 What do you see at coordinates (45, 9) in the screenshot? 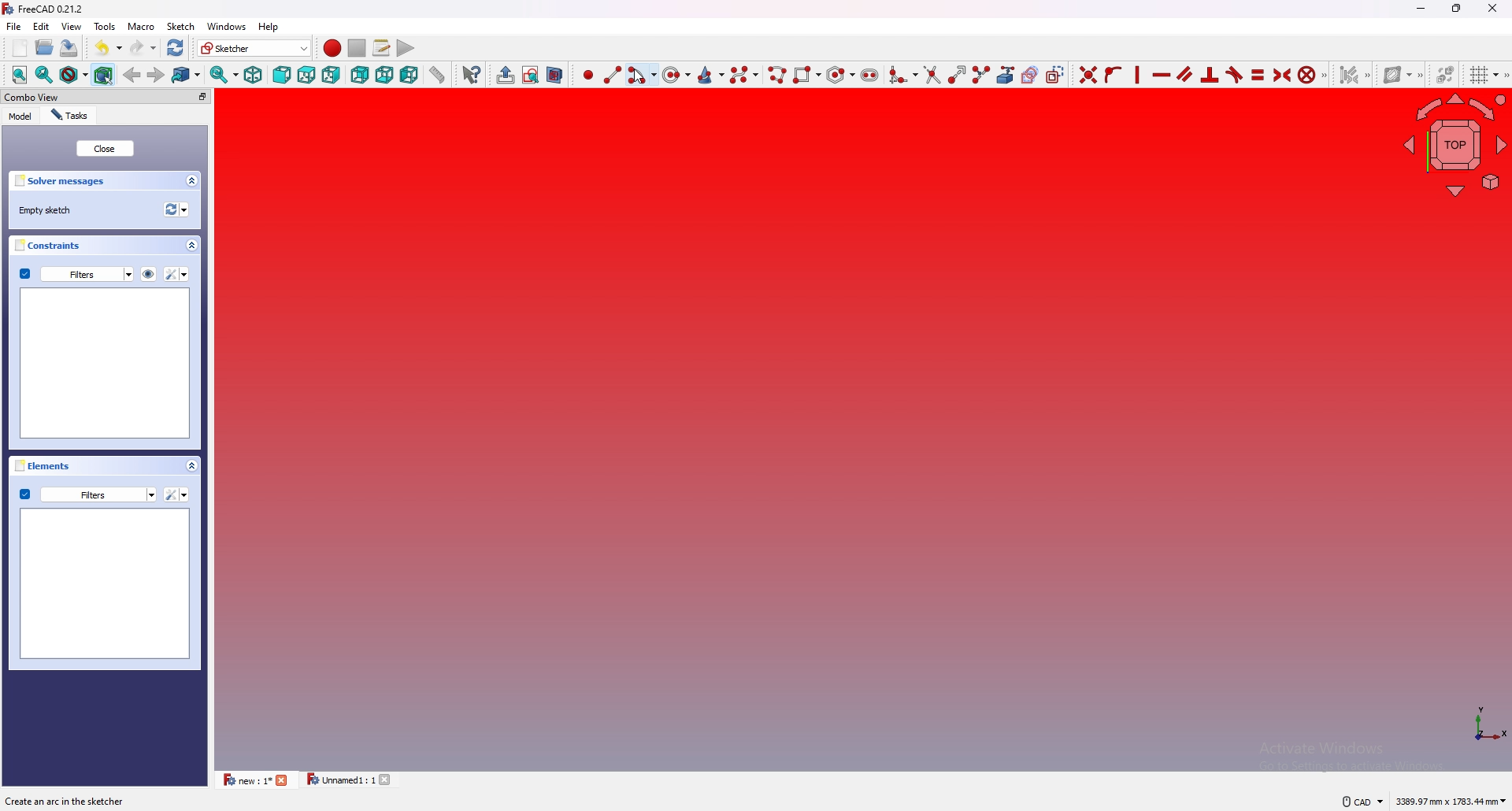
I see `FreeCAD 0.21.2` at bounding box center [45, 9].